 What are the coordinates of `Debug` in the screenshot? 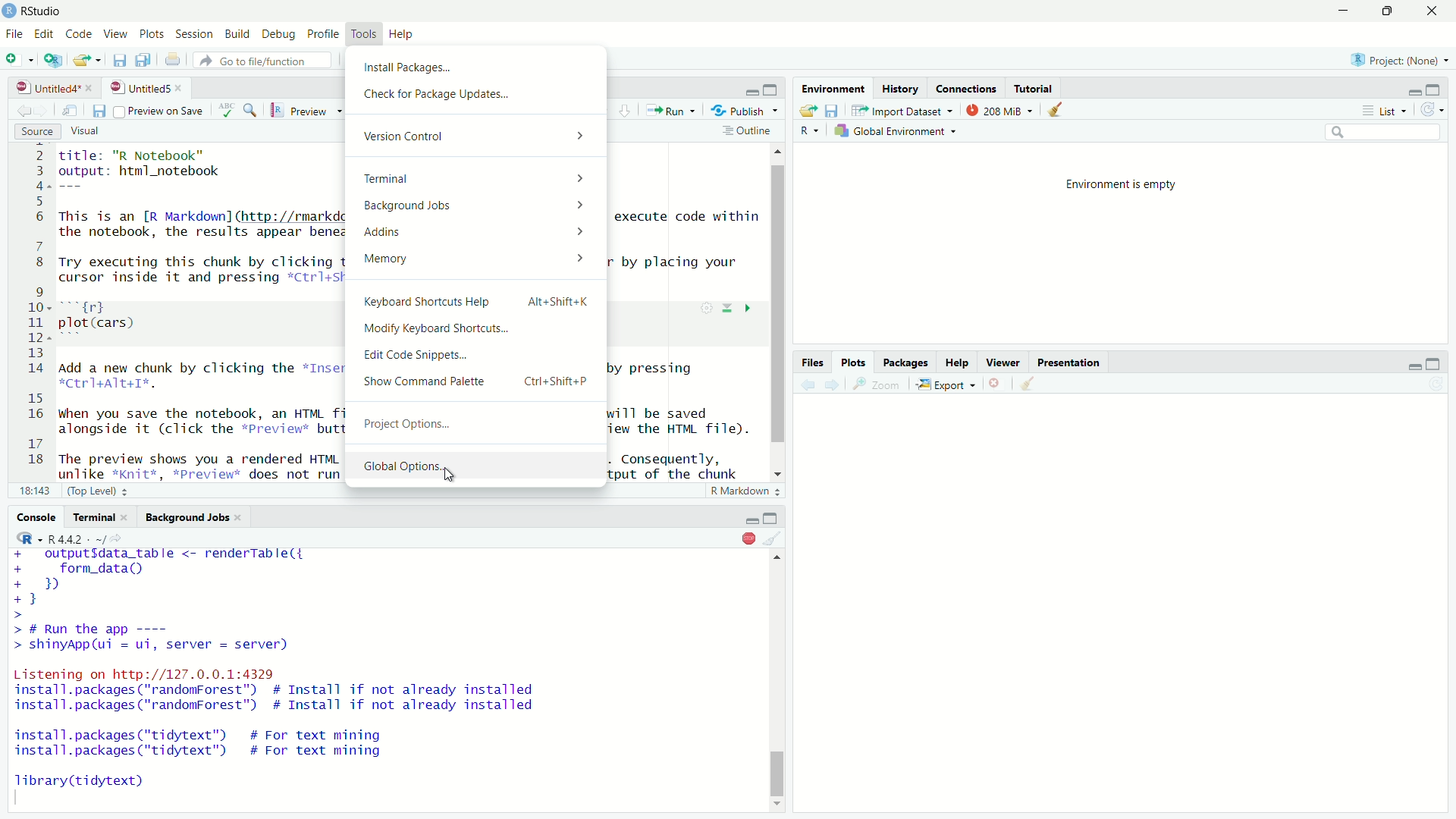 It's located at (280, 36).